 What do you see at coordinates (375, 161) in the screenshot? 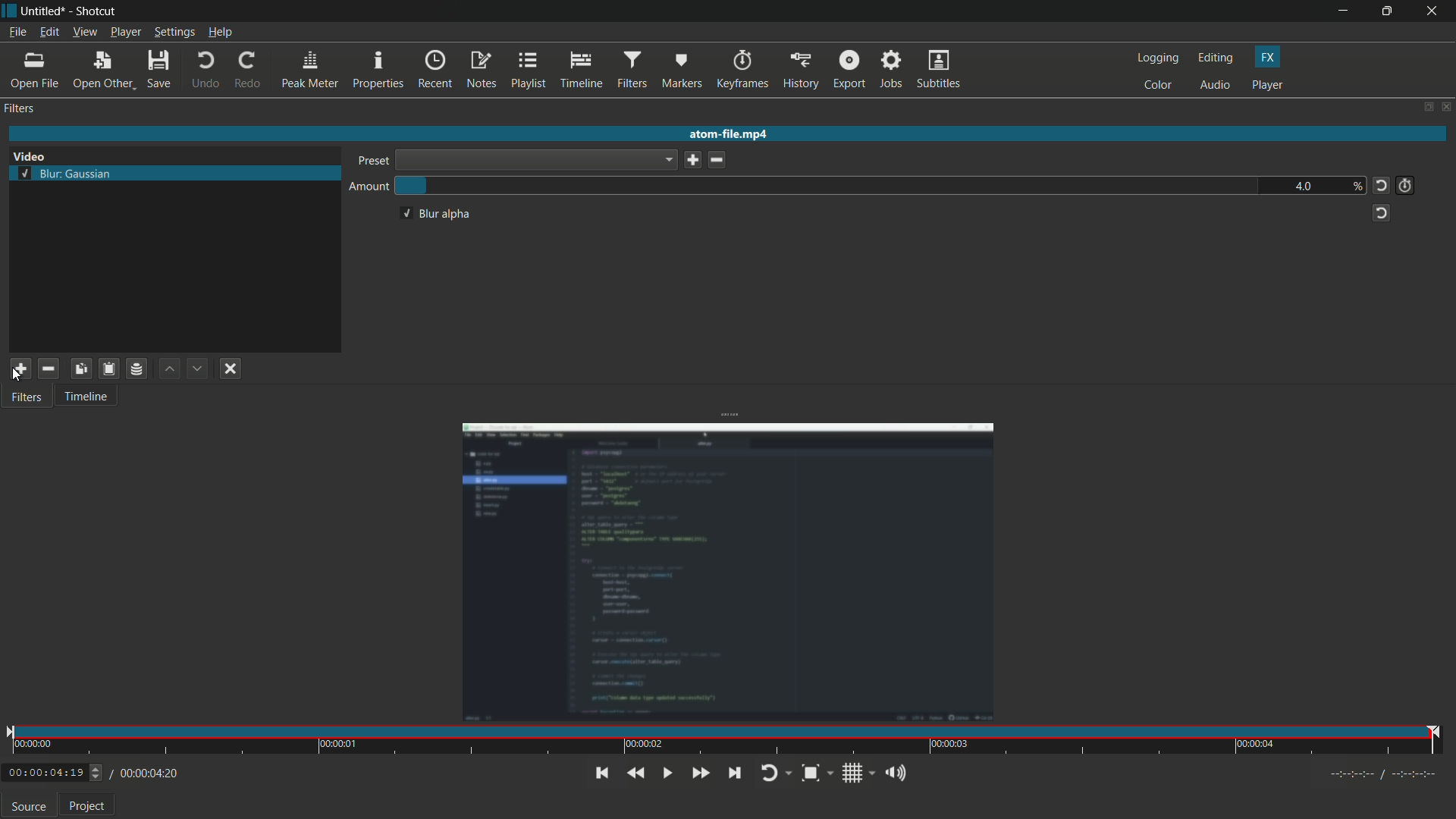
I see `preset` at bounding box center [375, 161].